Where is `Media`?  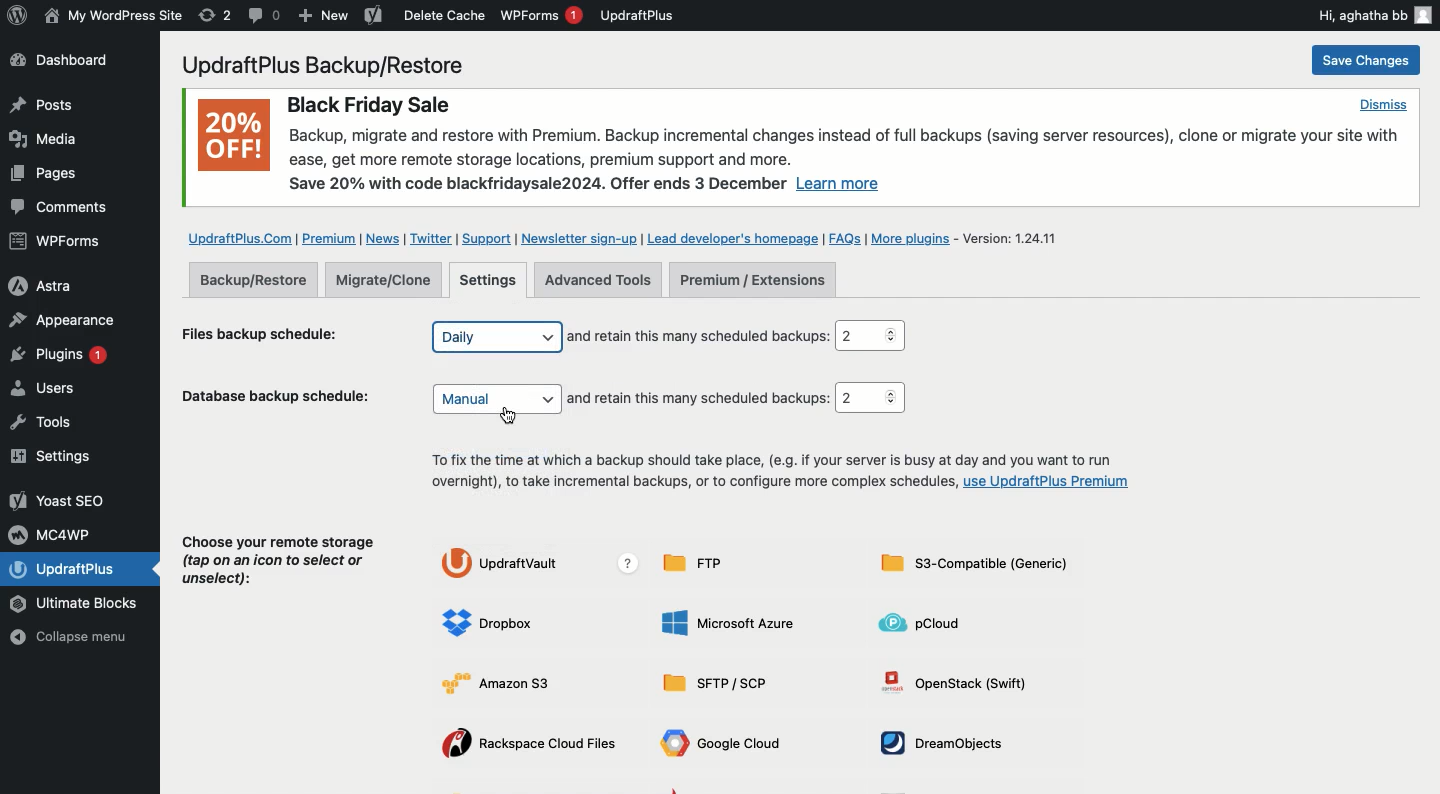
Media is located at coordinates (46, 138).